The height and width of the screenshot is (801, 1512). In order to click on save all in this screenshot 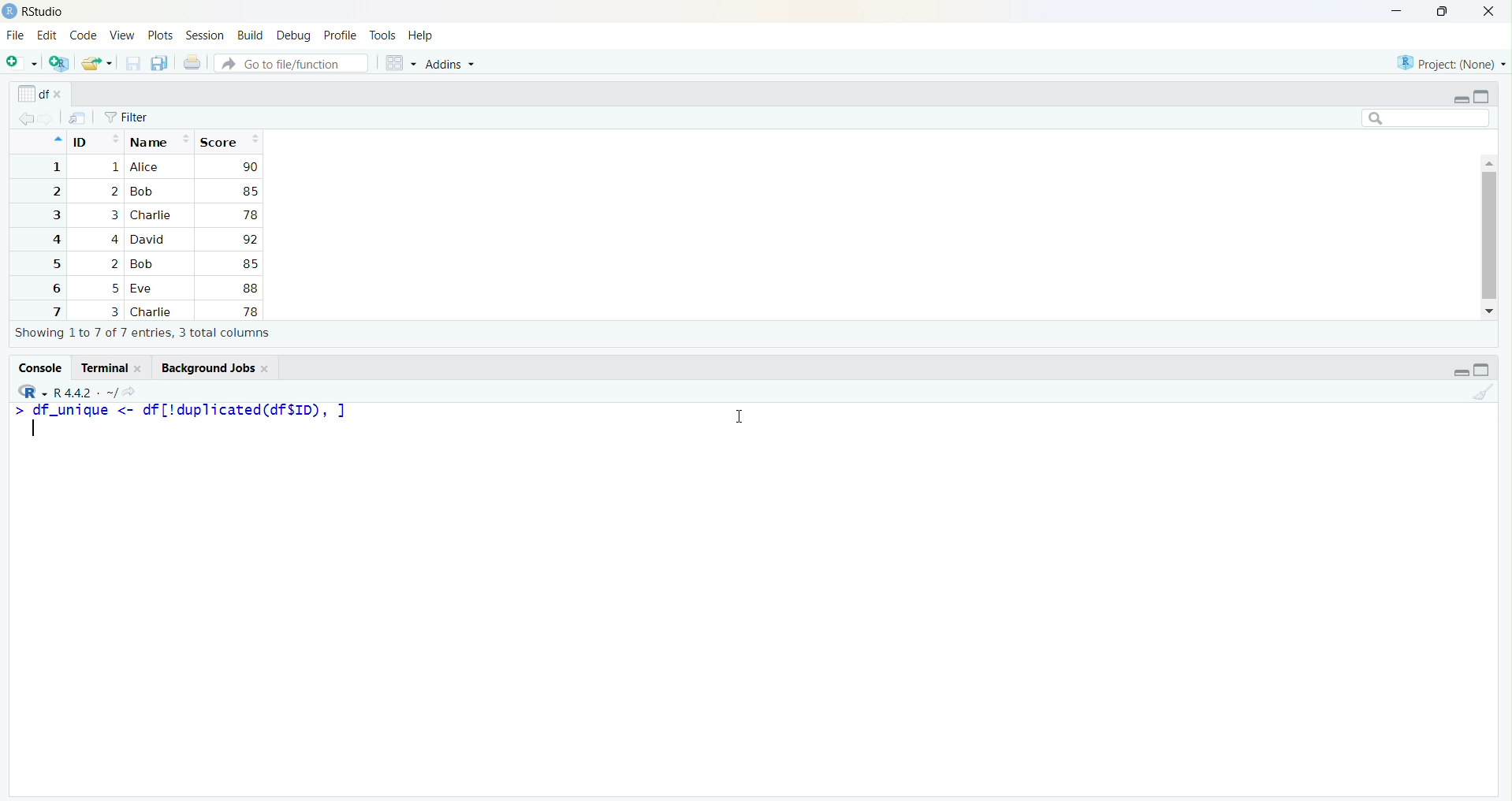, I will do `click(161, 64)`.